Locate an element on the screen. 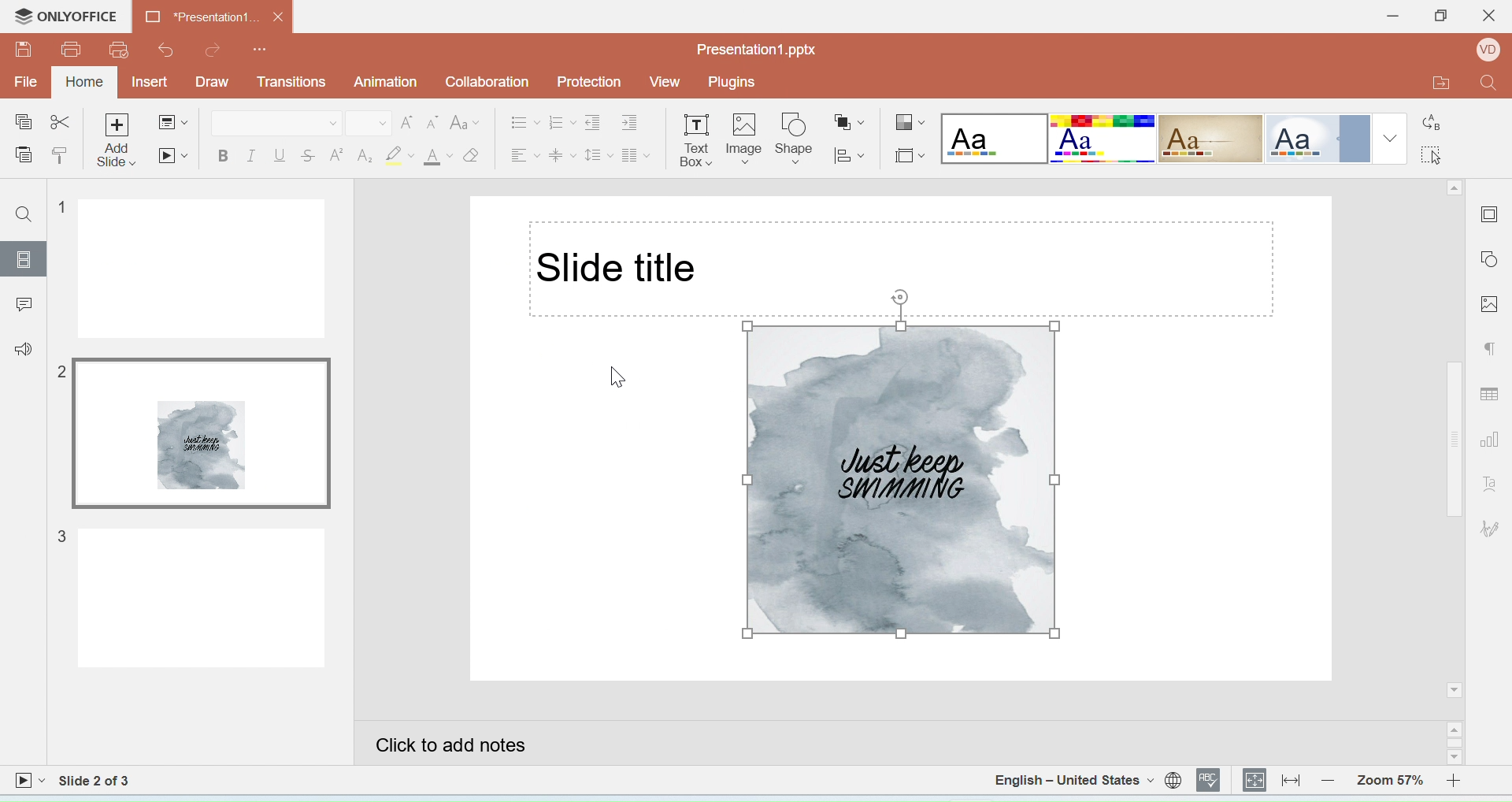 Image resolution: width=1512 pixels, height=802 pixels. Zoom out is located at coordinates (1332, 779).